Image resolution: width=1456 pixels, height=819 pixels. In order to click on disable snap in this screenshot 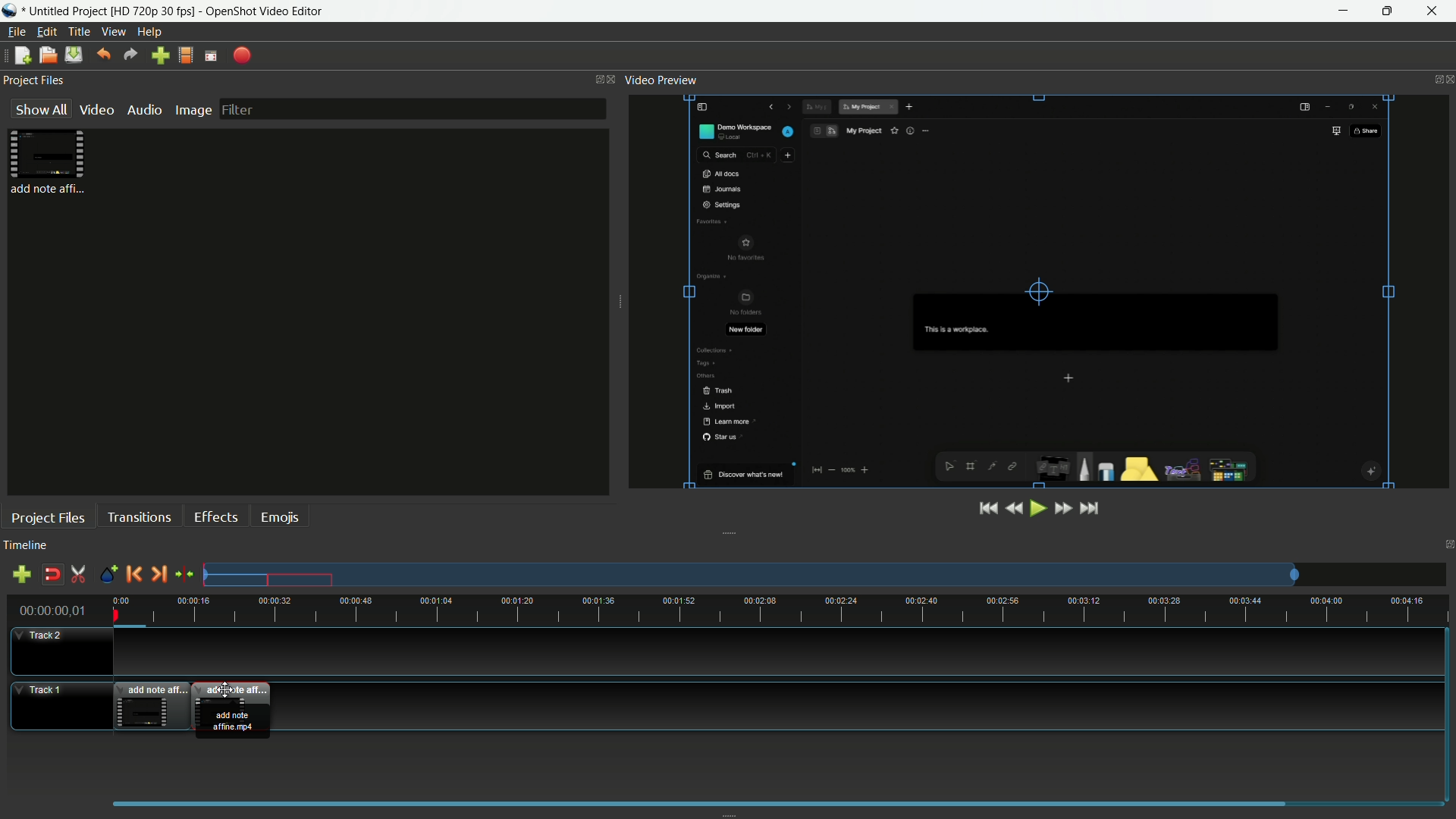, I will do `click(50, 574)`.